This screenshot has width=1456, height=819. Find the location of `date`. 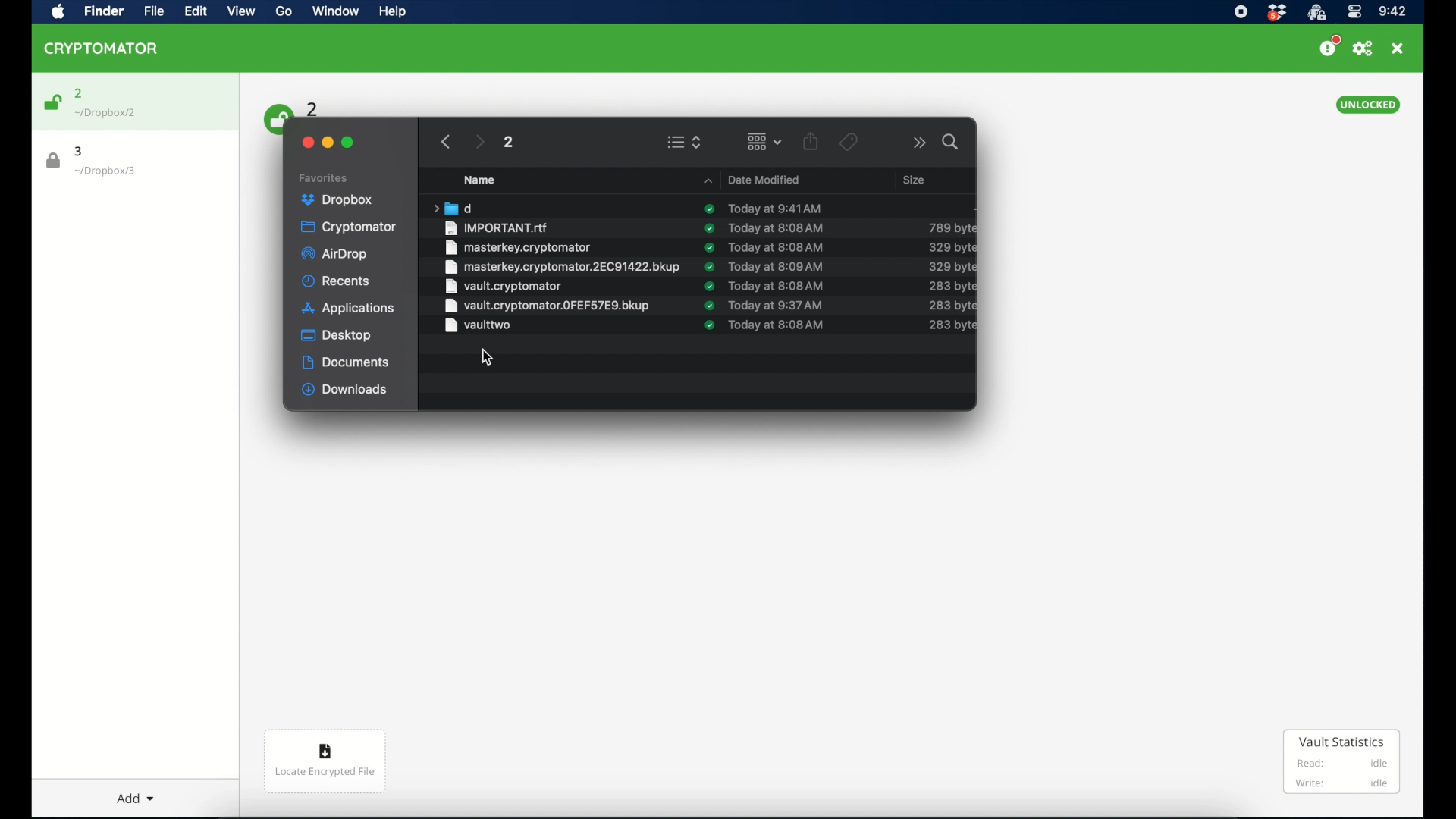

date is located at coordinates (775, 208).